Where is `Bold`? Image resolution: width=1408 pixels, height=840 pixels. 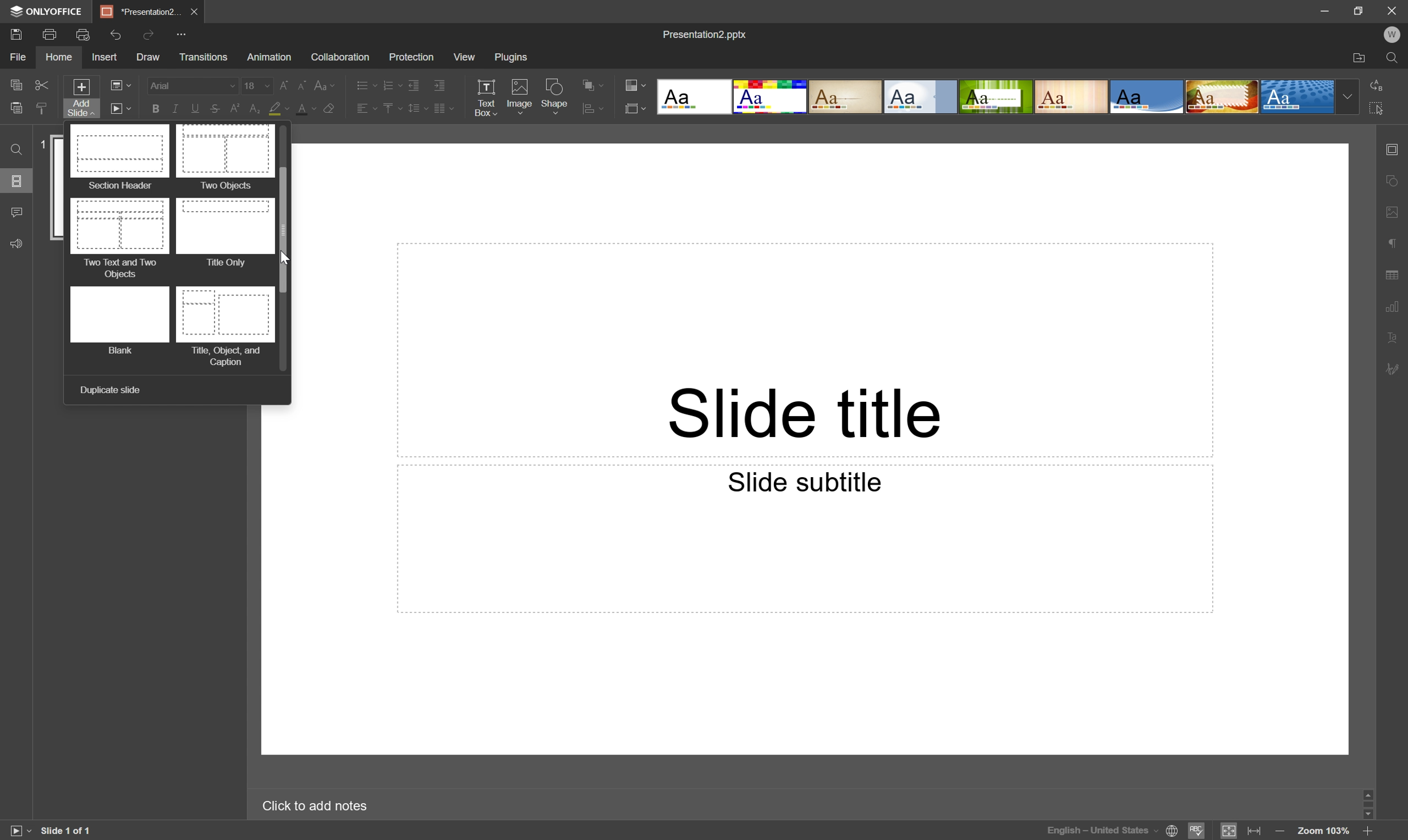 Bold is located at coordinates (155, 108).